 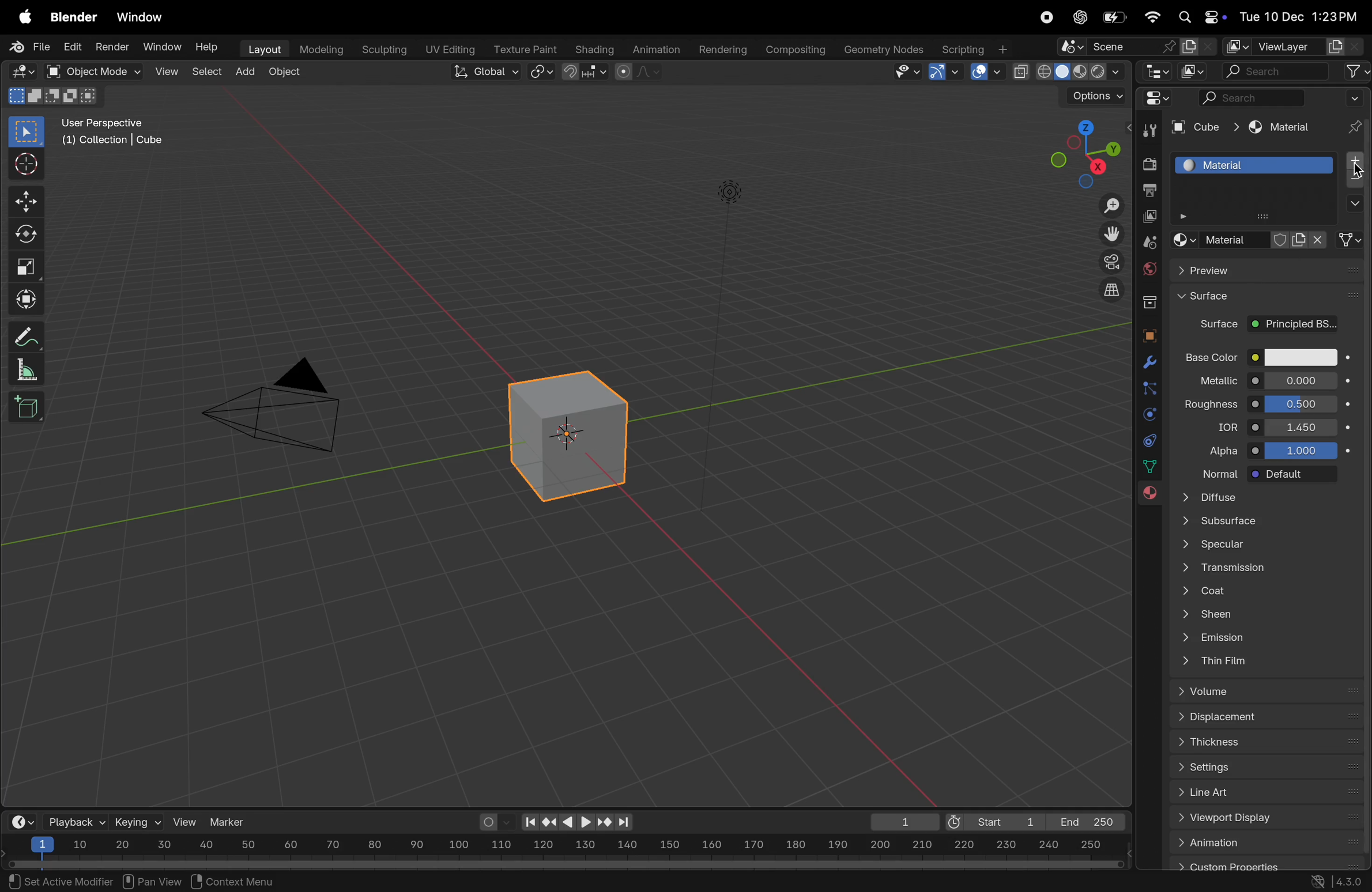 What do you see at coordinates (205, 71) in the screenshot?
I see `select` at bounding box center [205, 71].